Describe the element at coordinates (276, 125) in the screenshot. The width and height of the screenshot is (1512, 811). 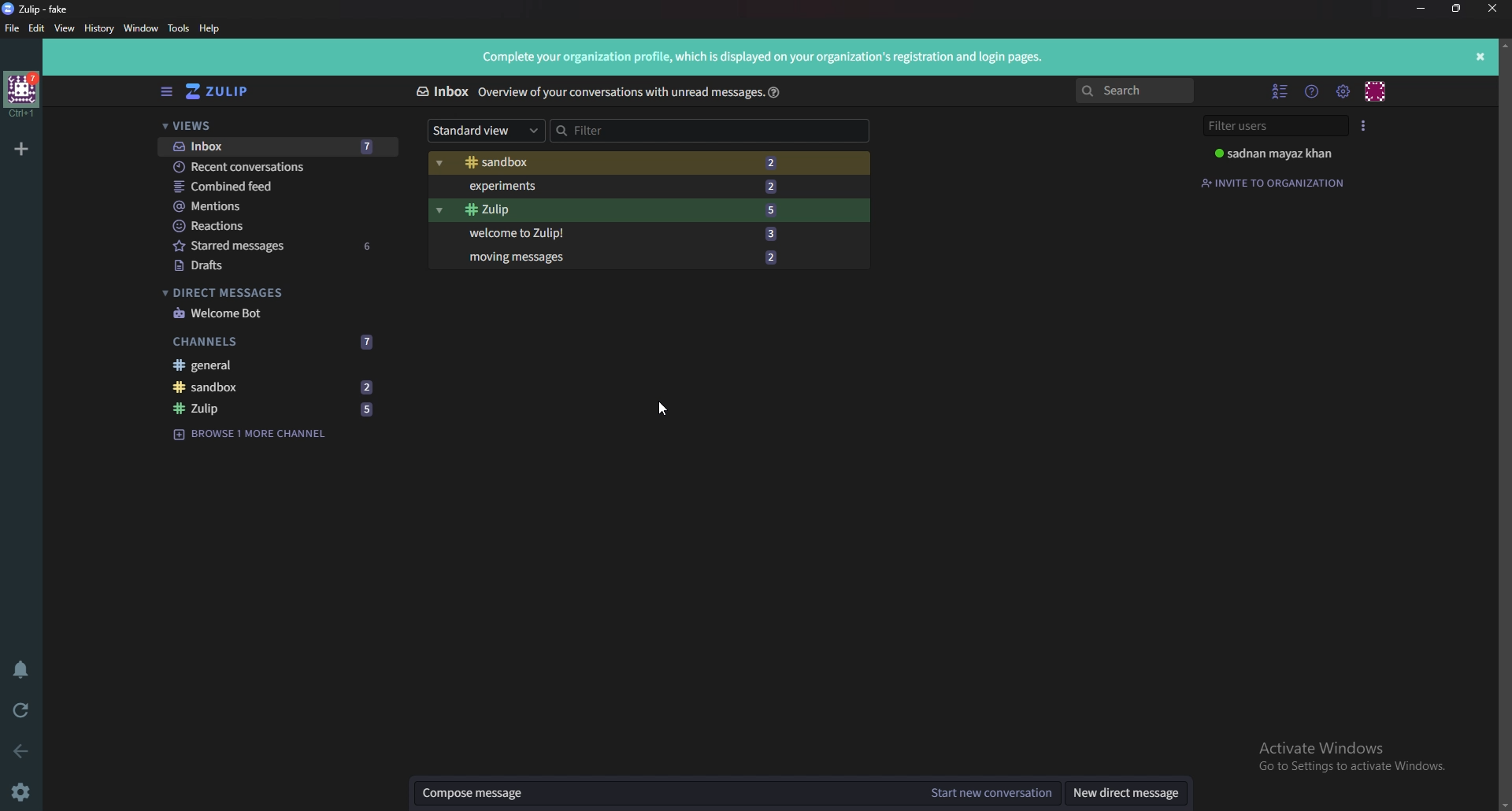
I see `Views` at that location.